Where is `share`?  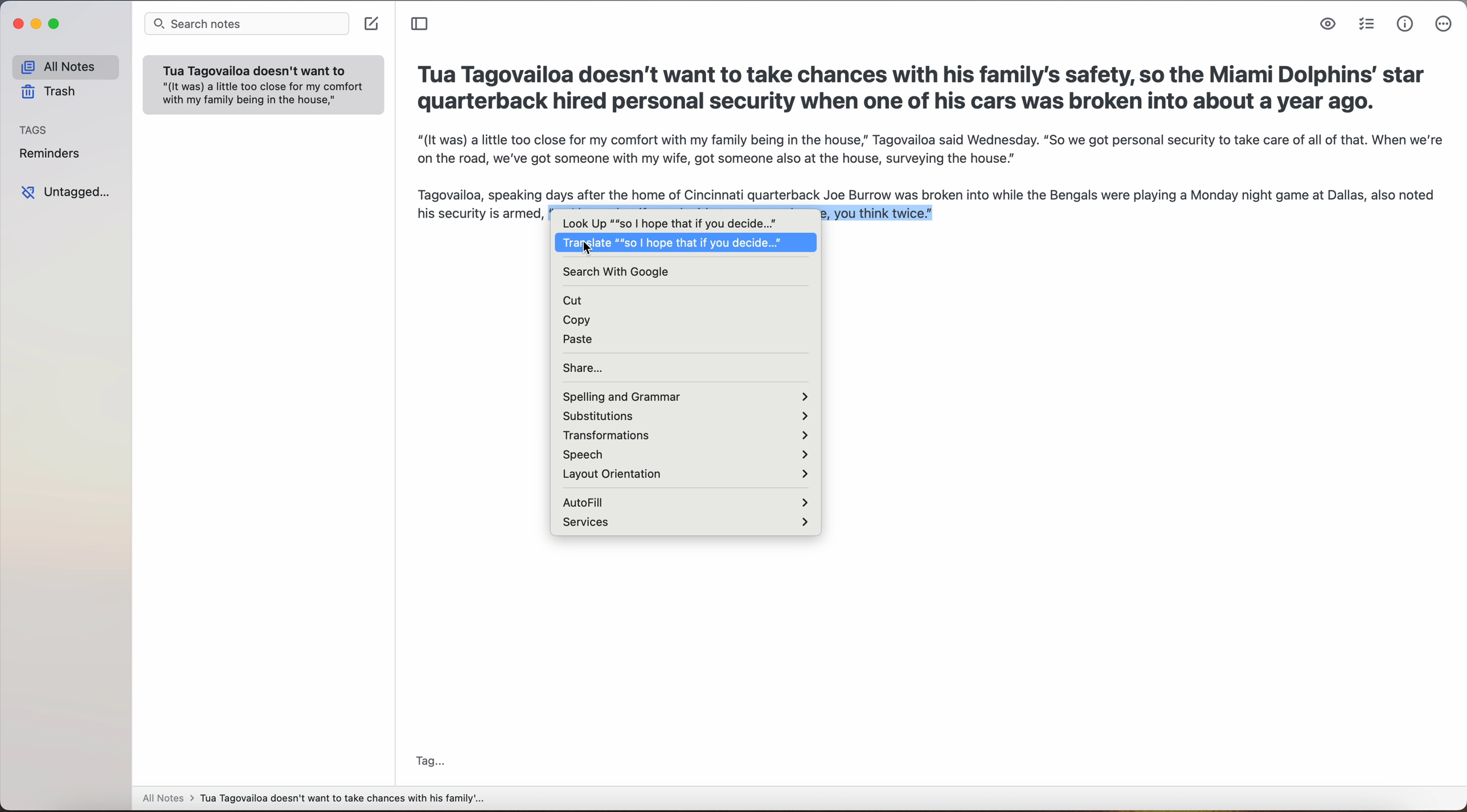
share is located at coordinates (588, 368).